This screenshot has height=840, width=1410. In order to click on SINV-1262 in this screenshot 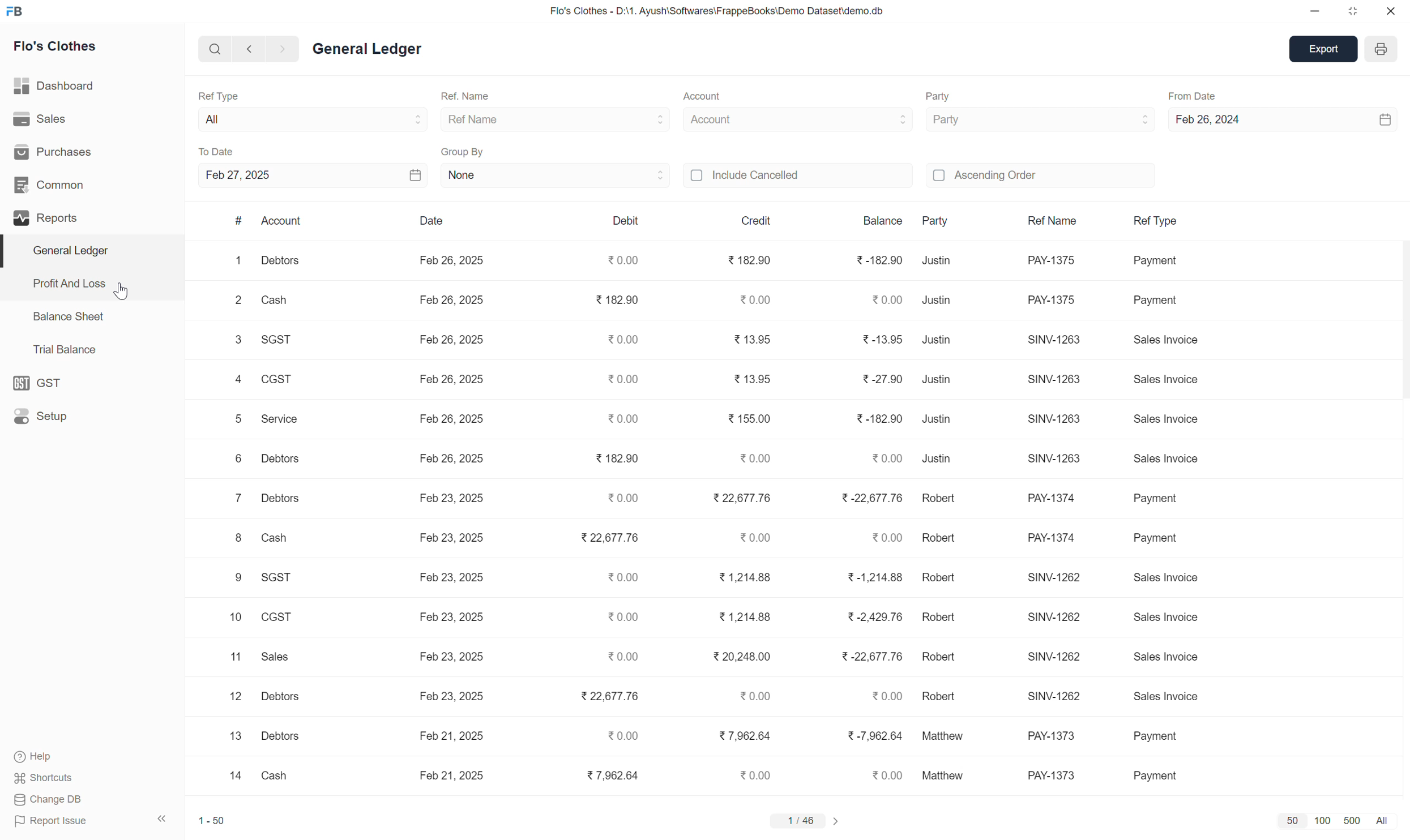, I will do `click(1054, 657)`.